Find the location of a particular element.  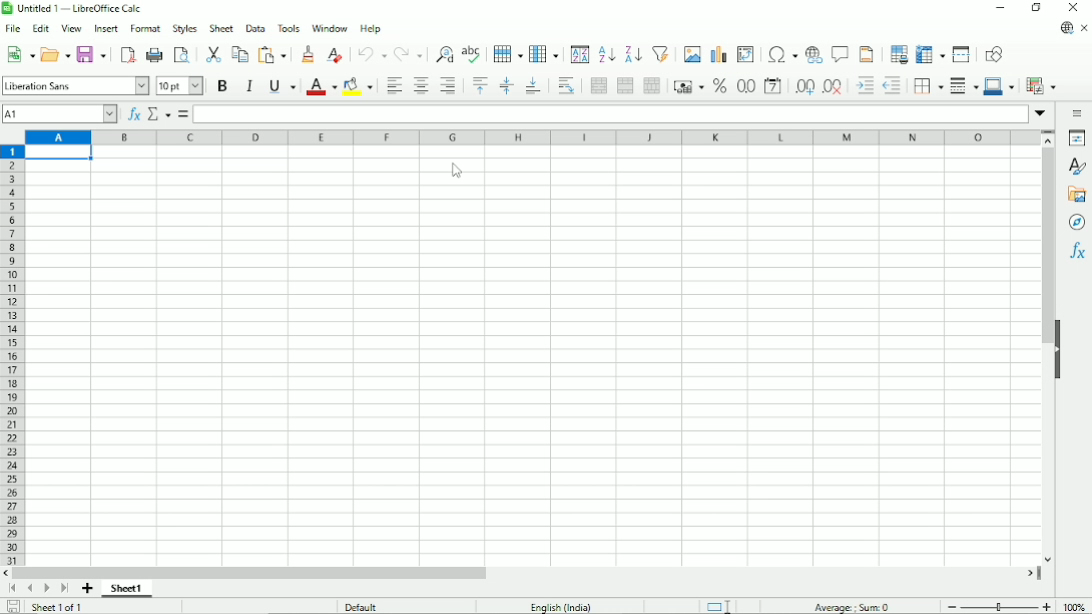

Styles is located at coordinates (1076, 167).